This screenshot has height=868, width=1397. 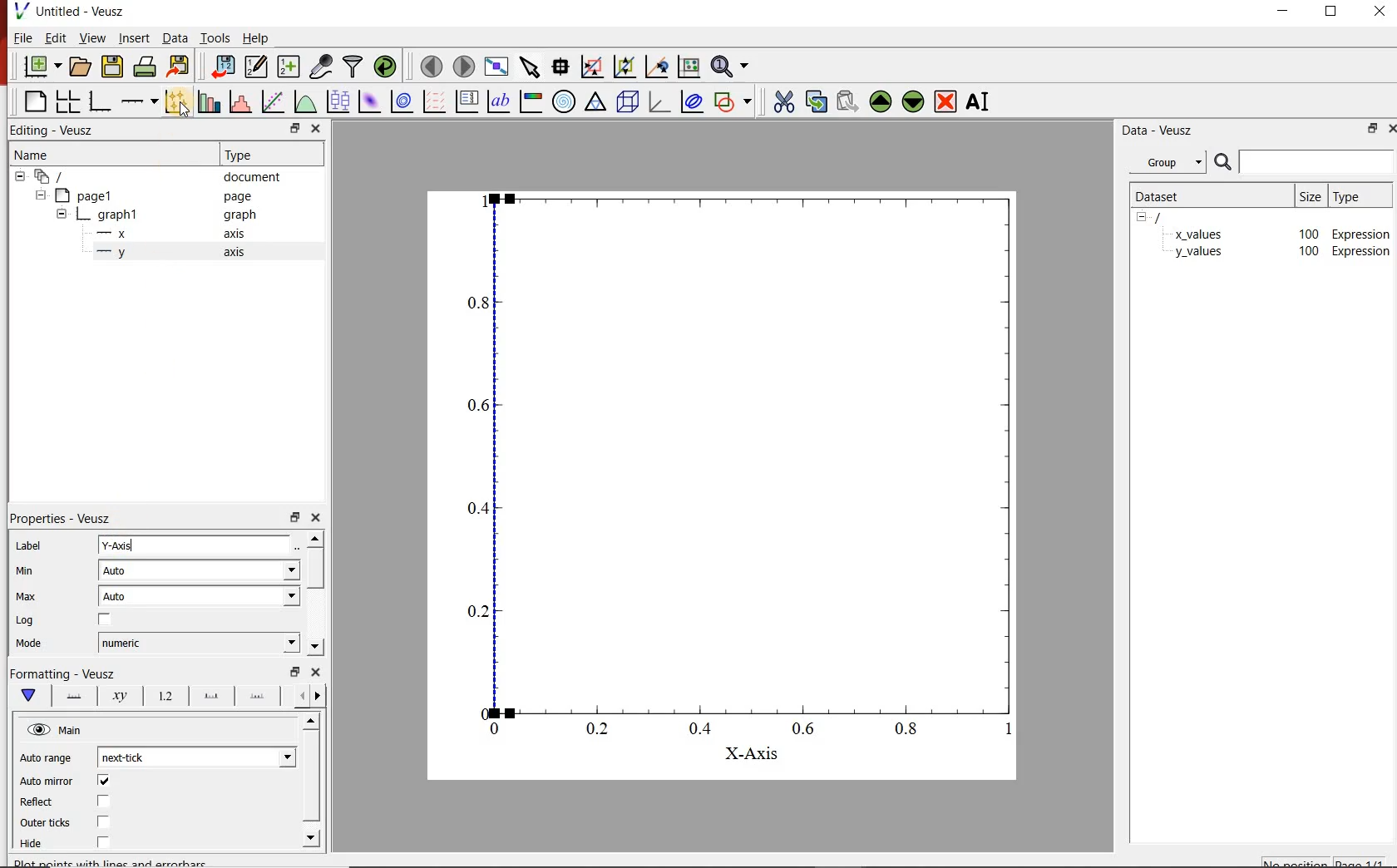 I want to click on plot covariance ellipse, so click(x=690, y=101).